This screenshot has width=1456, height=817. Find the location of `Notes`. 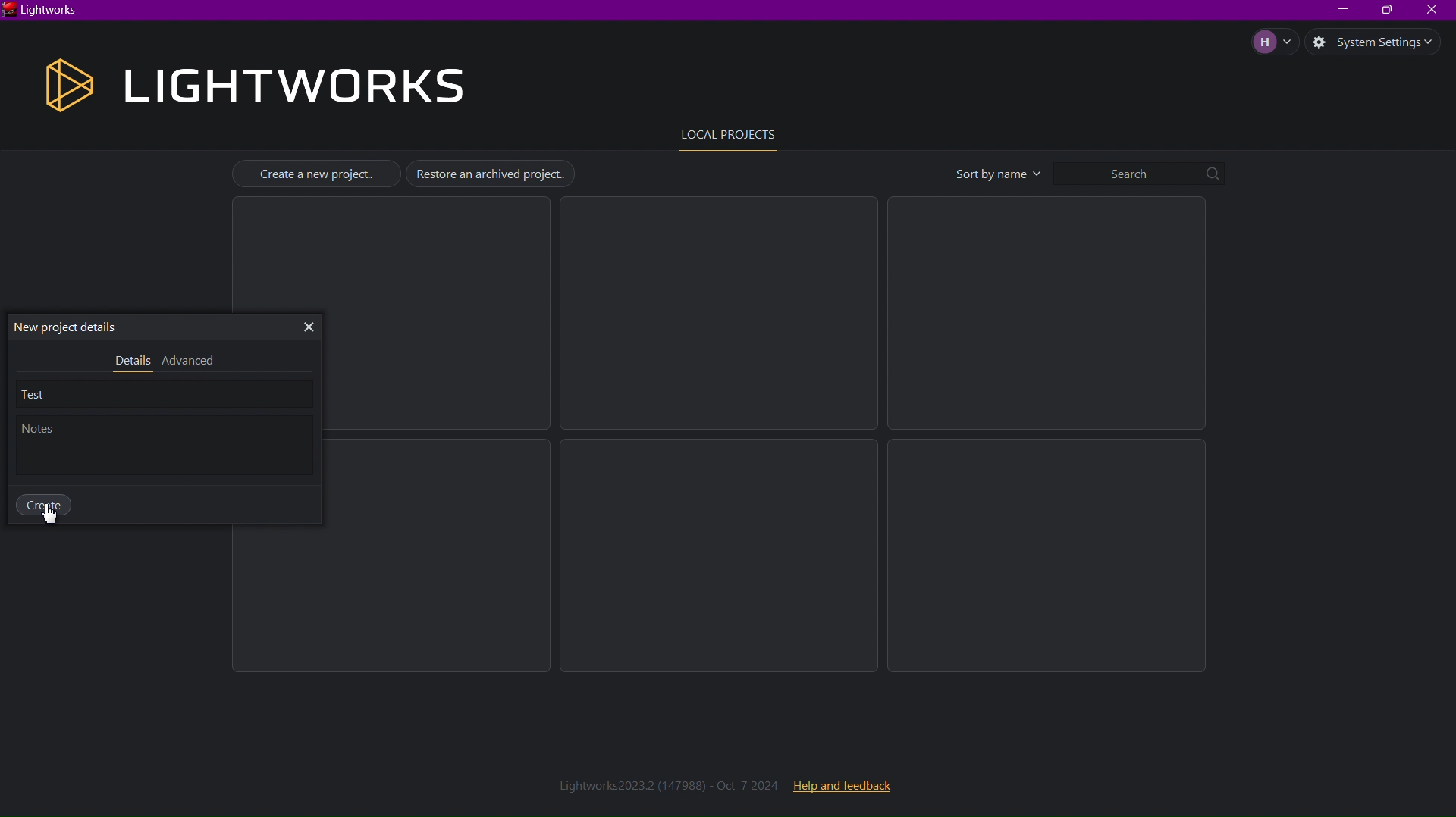

Notes is located at coordinates (166, 449).